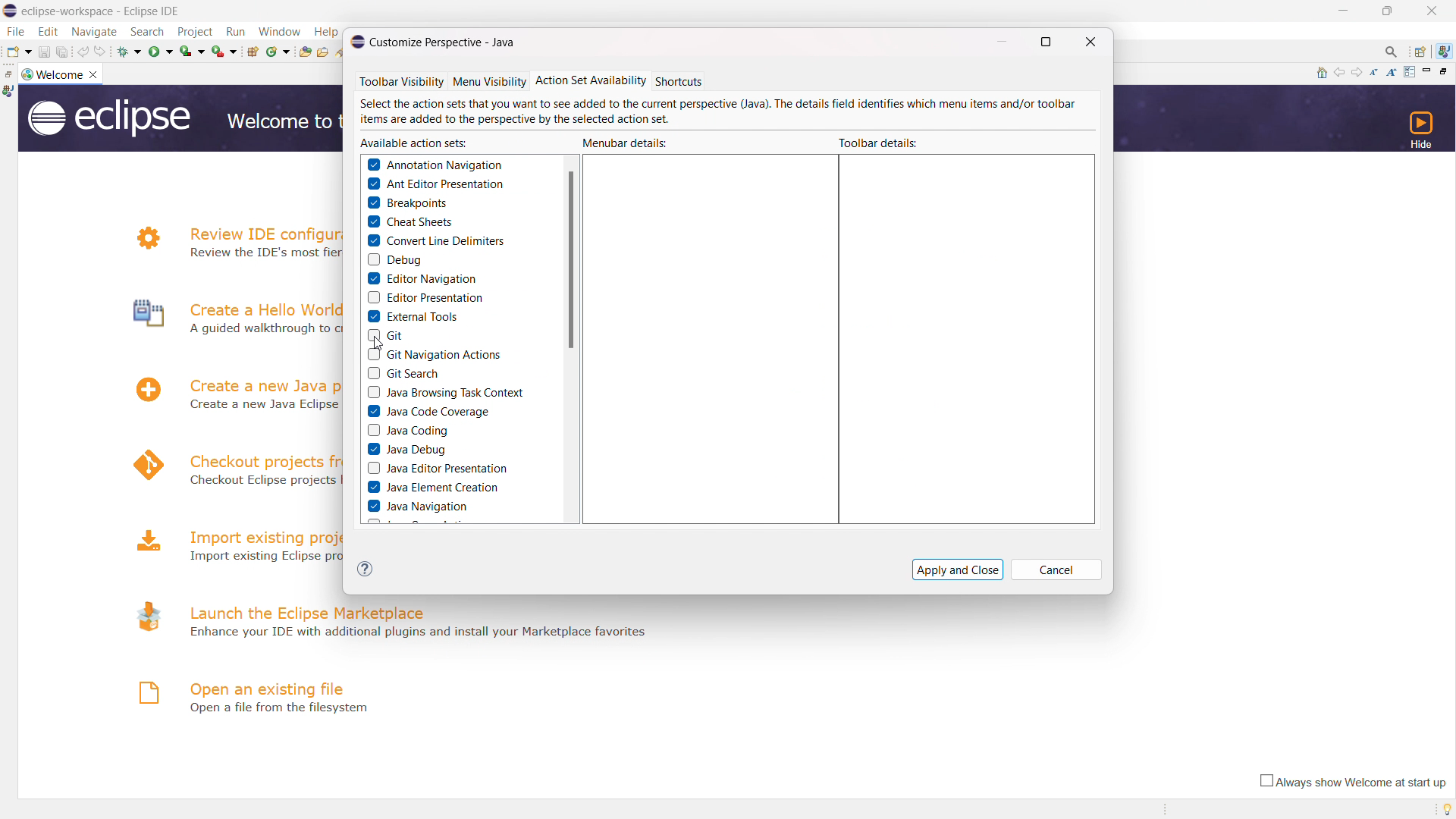 The width and height of the screenshot is (1456, 819). Describe the element at coordinates (376, 342) in the screenshot. I see `cursor` at that location.